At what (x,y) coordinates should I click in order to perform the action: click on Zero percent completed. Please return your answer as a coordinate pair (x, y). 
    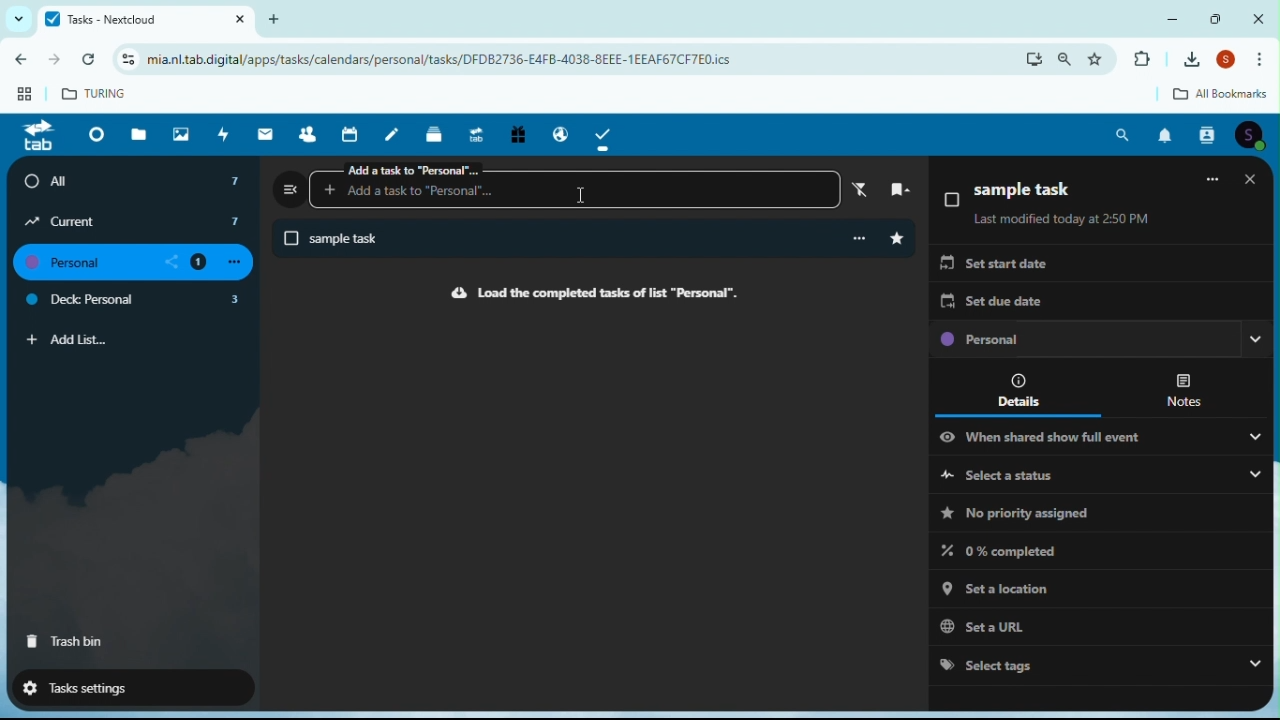
    Looking at the image, I should click on (1014, 550).